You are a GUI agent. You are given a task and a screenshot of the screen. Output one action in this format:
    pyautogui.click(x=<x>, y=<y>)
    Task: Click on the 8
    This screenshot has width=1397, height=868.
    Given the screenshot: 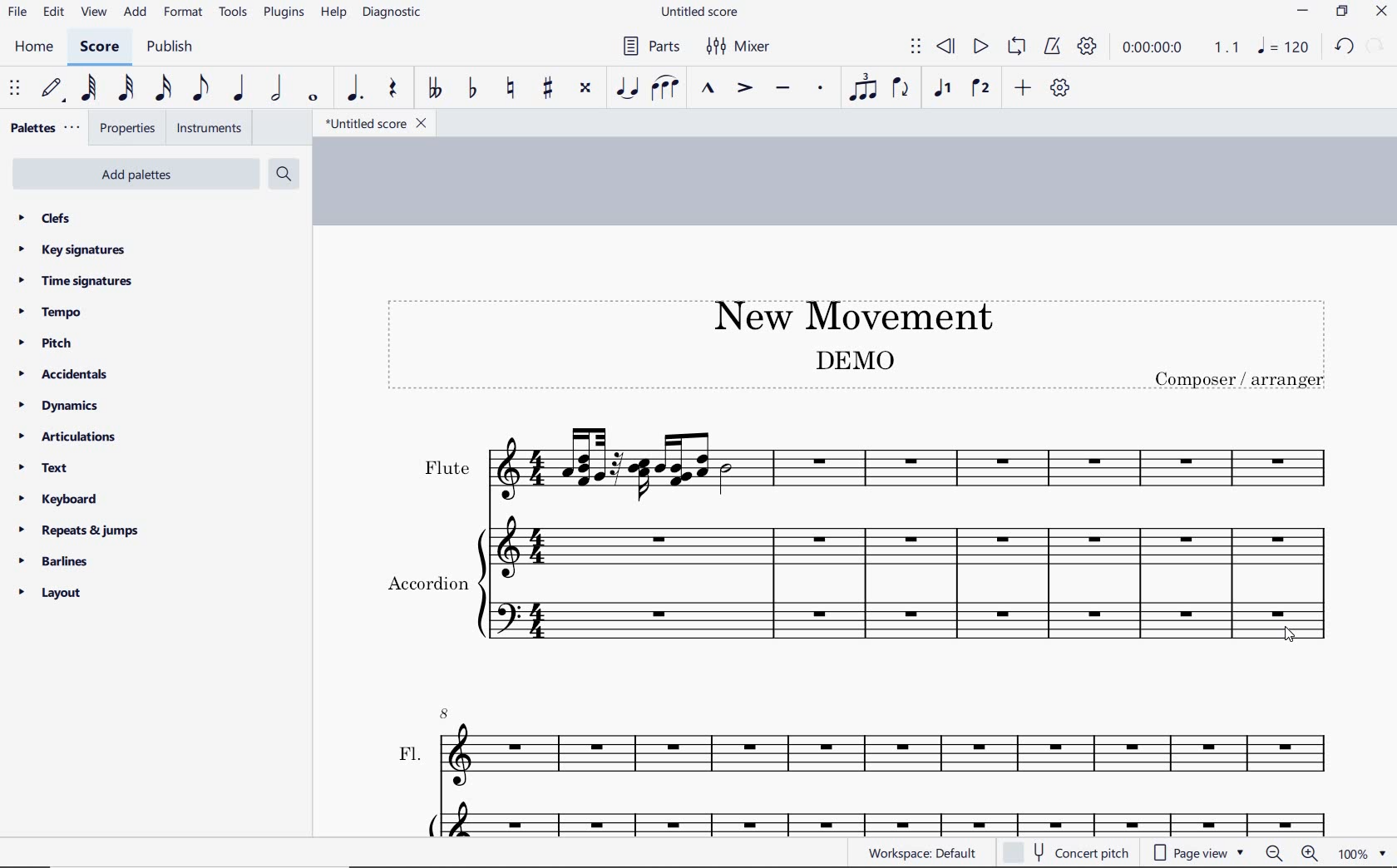 What is the action you would take?
    pyautogui.click(x=446, y=712)
    